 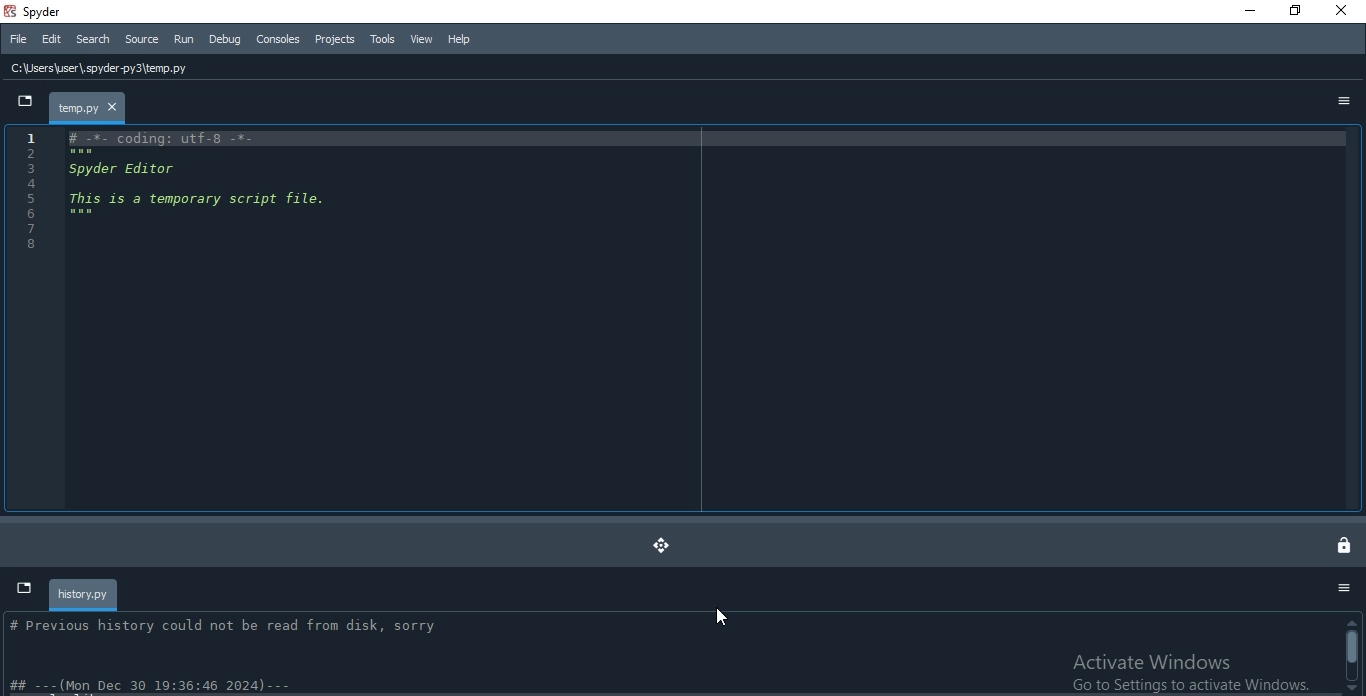 I want to click on C:\Users\user\, spyder-py3\temp.py, so click(x=112, y=69).